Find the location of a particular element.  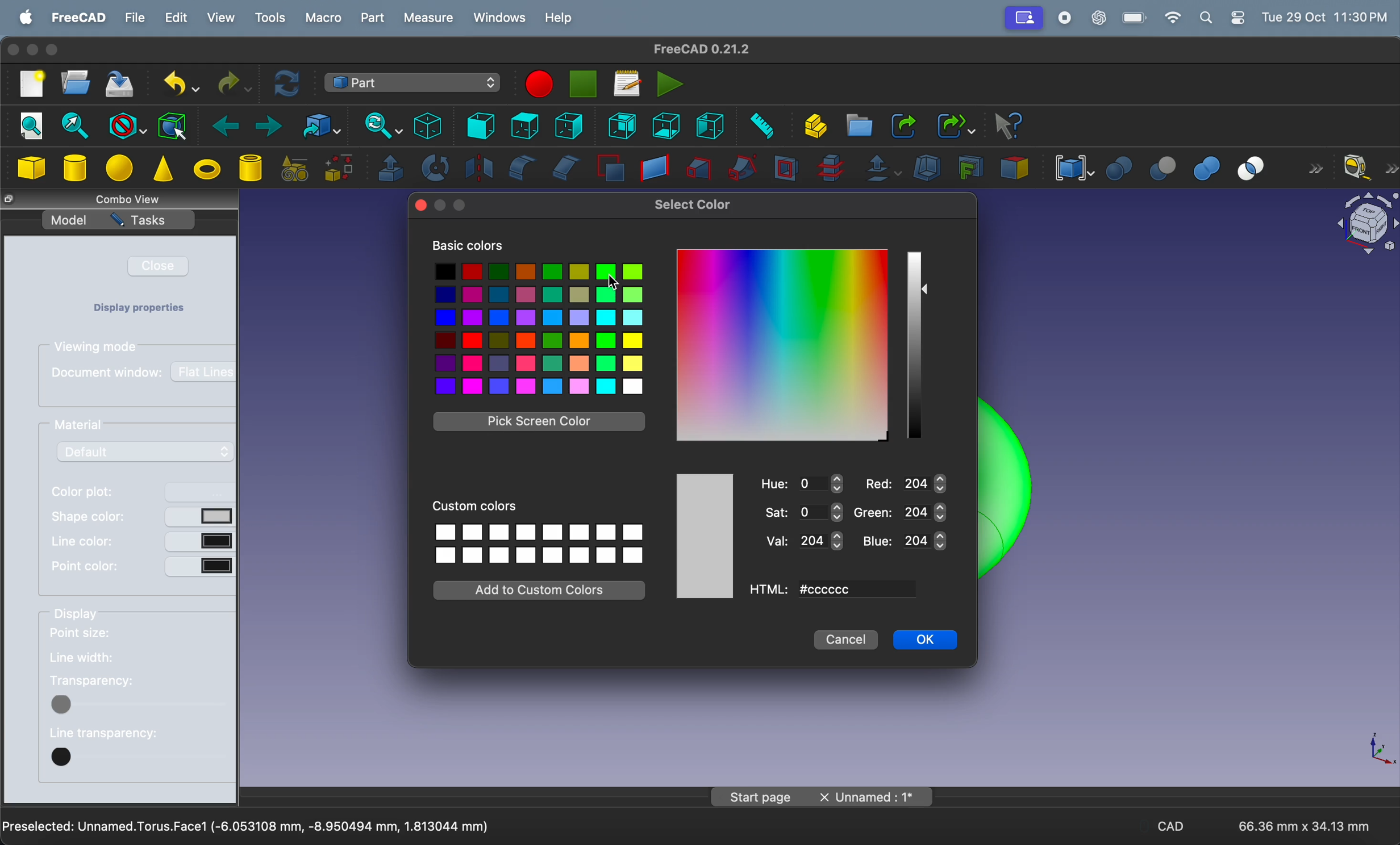

line color is located at coordinates (77, 542).